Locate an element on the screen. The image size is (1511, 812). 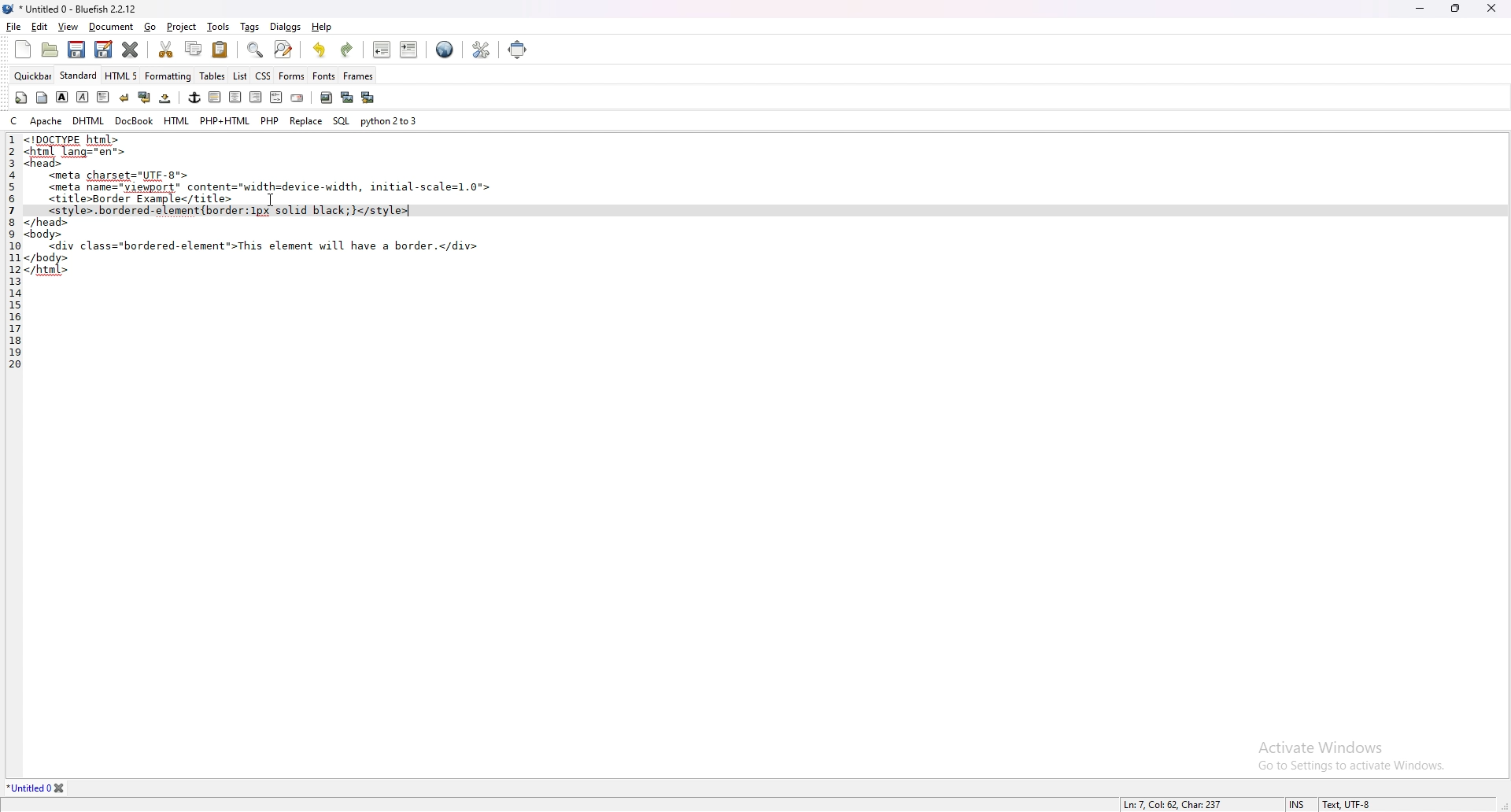
save file as is located at coordinates (104, 49).